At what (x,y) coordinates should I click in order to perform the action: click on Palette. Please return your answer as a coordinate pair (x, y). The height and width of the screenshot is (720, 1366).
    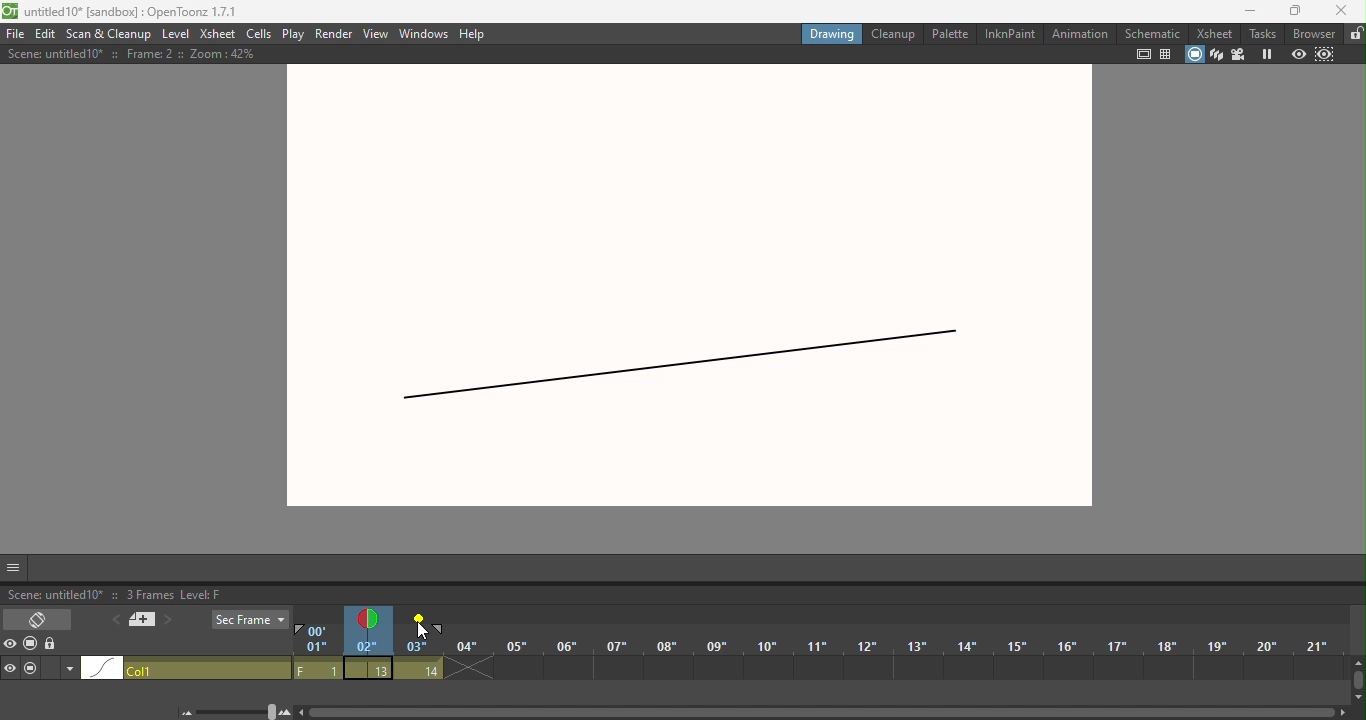
    Looking at the image, I should click on (948, 33).